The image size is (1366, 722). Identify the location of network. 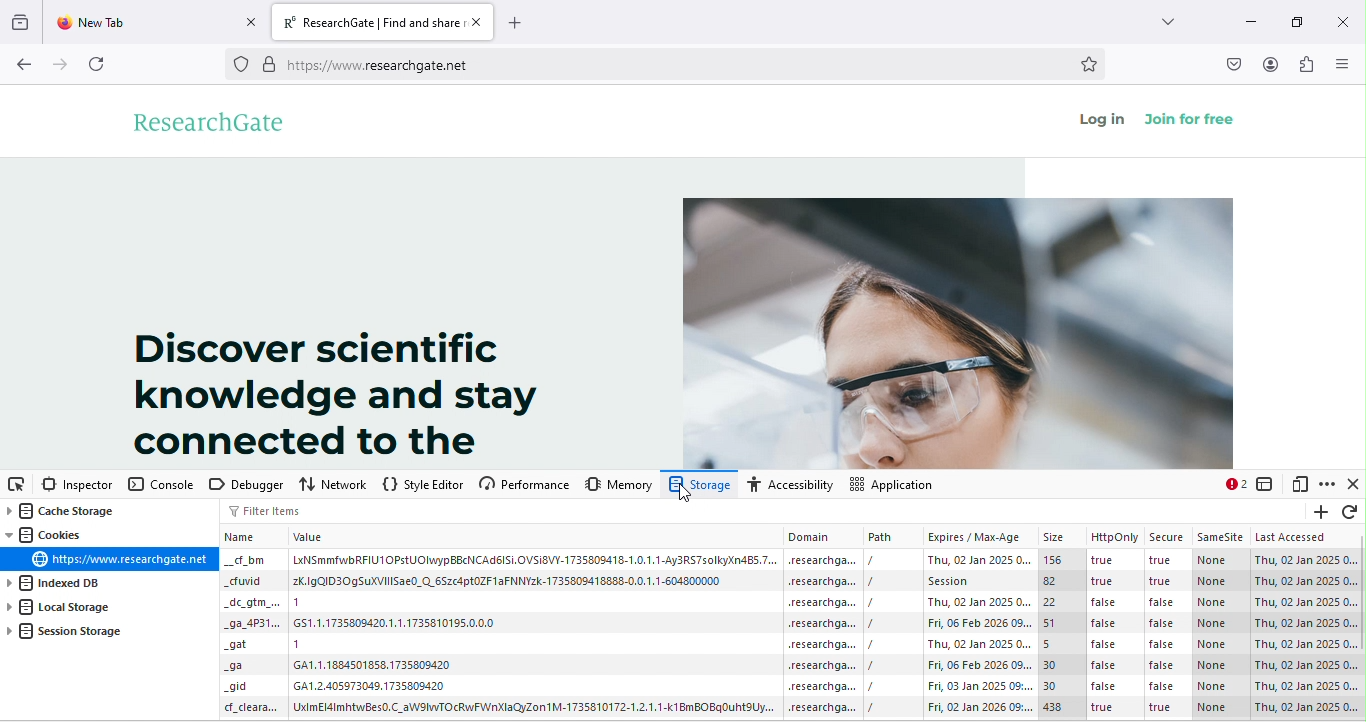
(328, 486).